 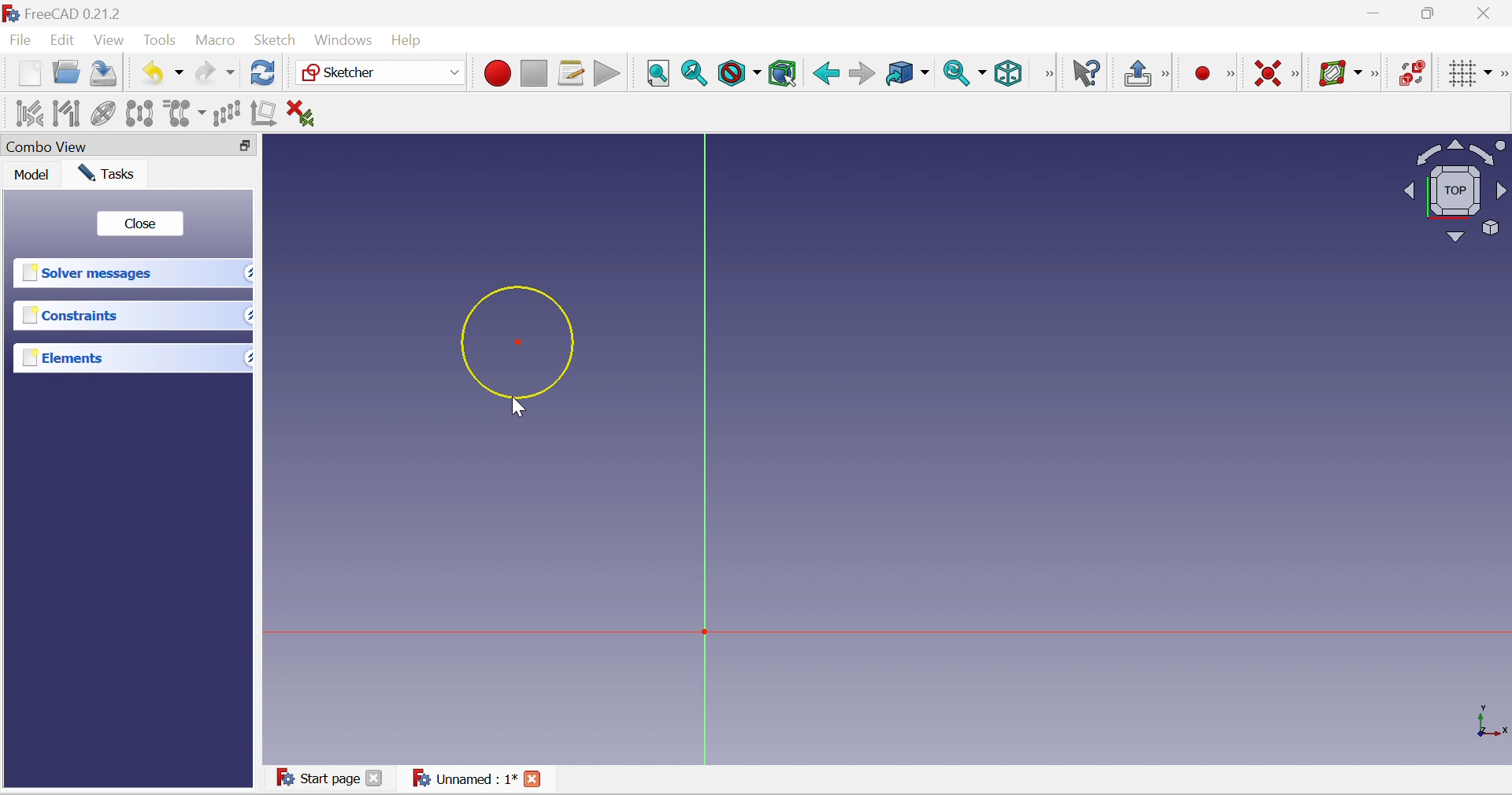 I want to click on Create point, so click(x=1199, y=74).